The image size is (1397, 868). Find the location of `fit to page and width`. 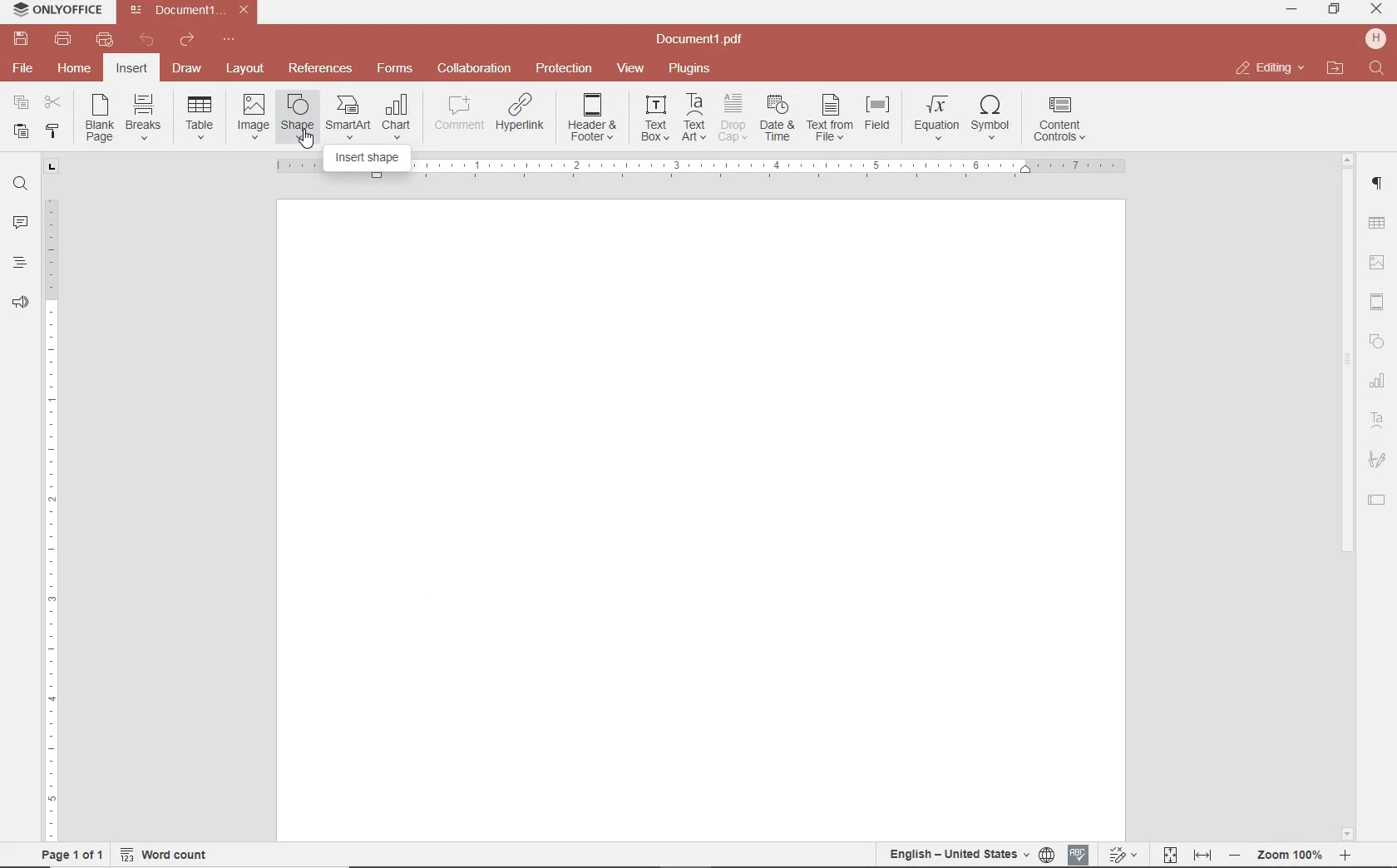

fit to page and width is located at coordinates (1184, 856).